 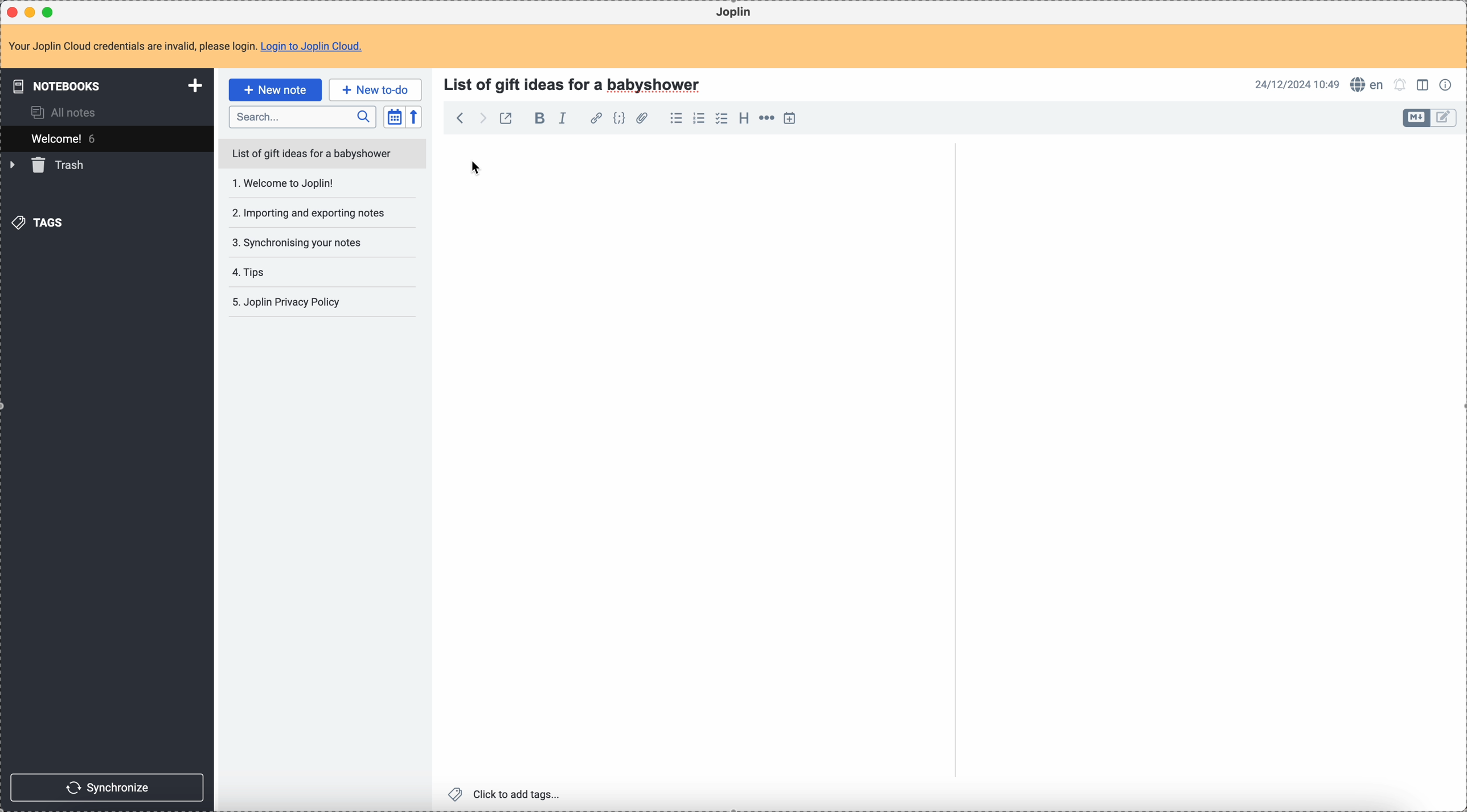 I want to click on horizontal rule, so click(x=768, y=119).